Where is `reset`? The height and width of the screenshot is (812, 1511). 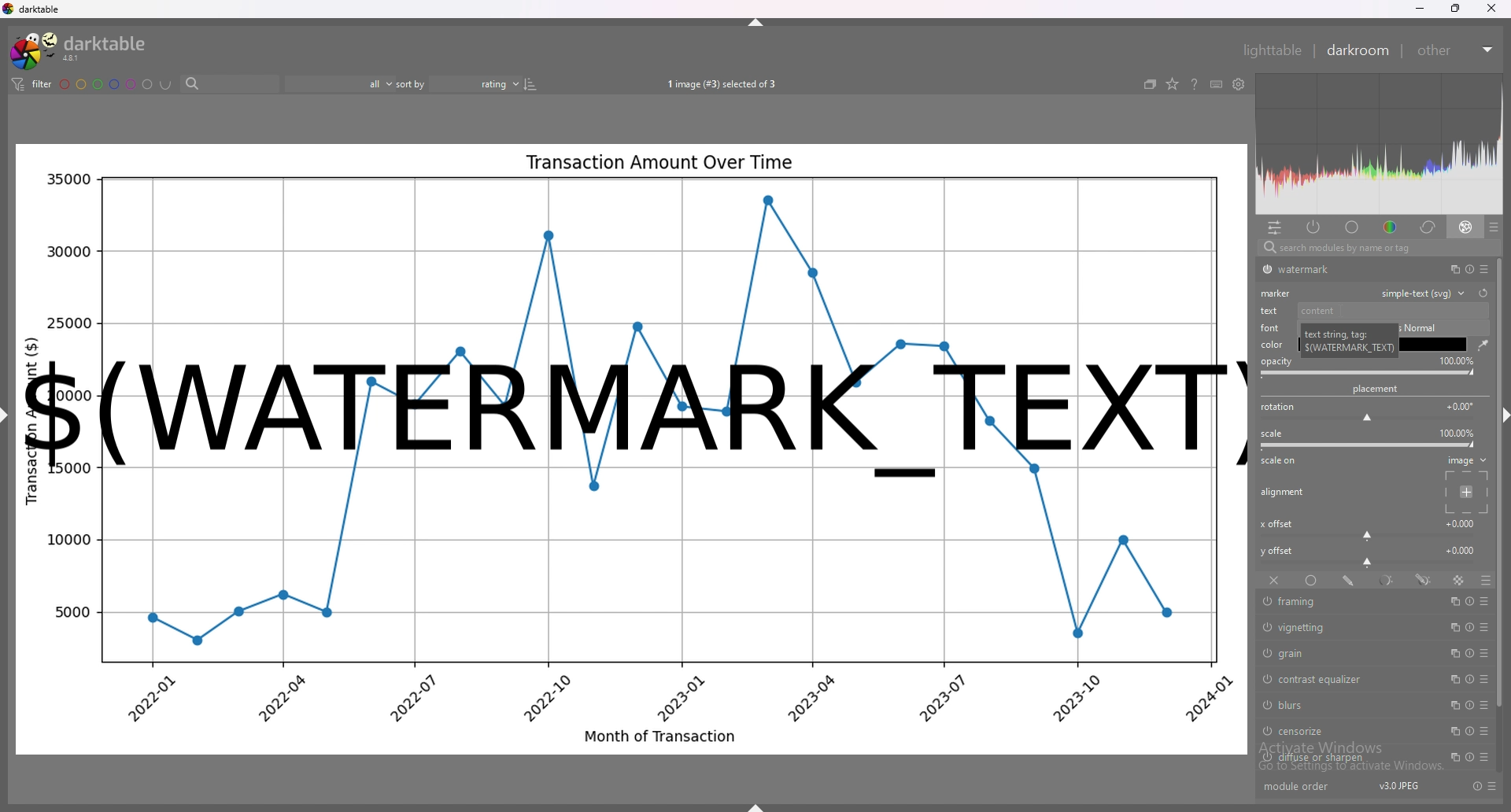
reset is located at coordinates (1469, 653).